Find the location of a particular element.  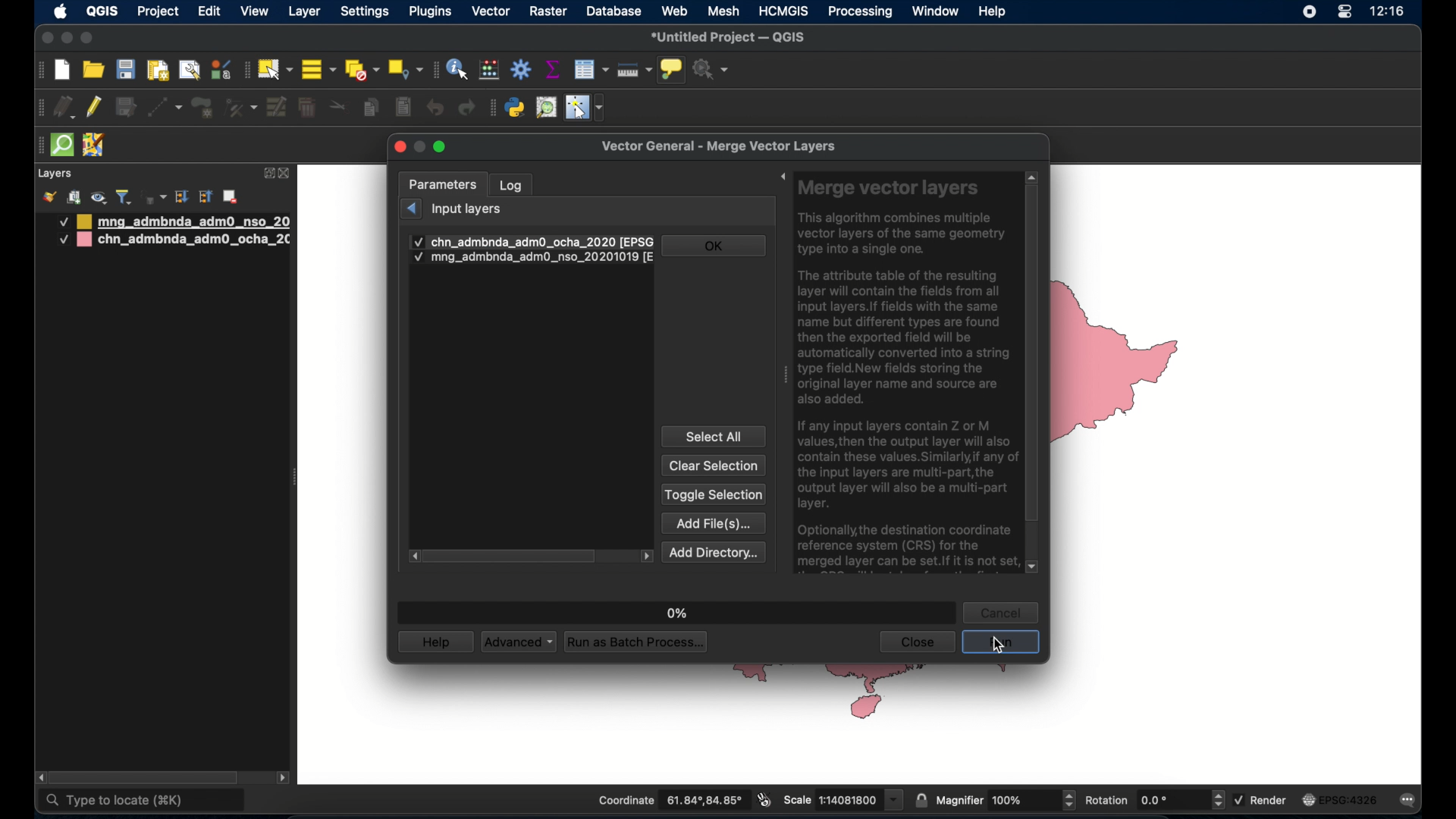

add group is located at coordinates (74, 197).